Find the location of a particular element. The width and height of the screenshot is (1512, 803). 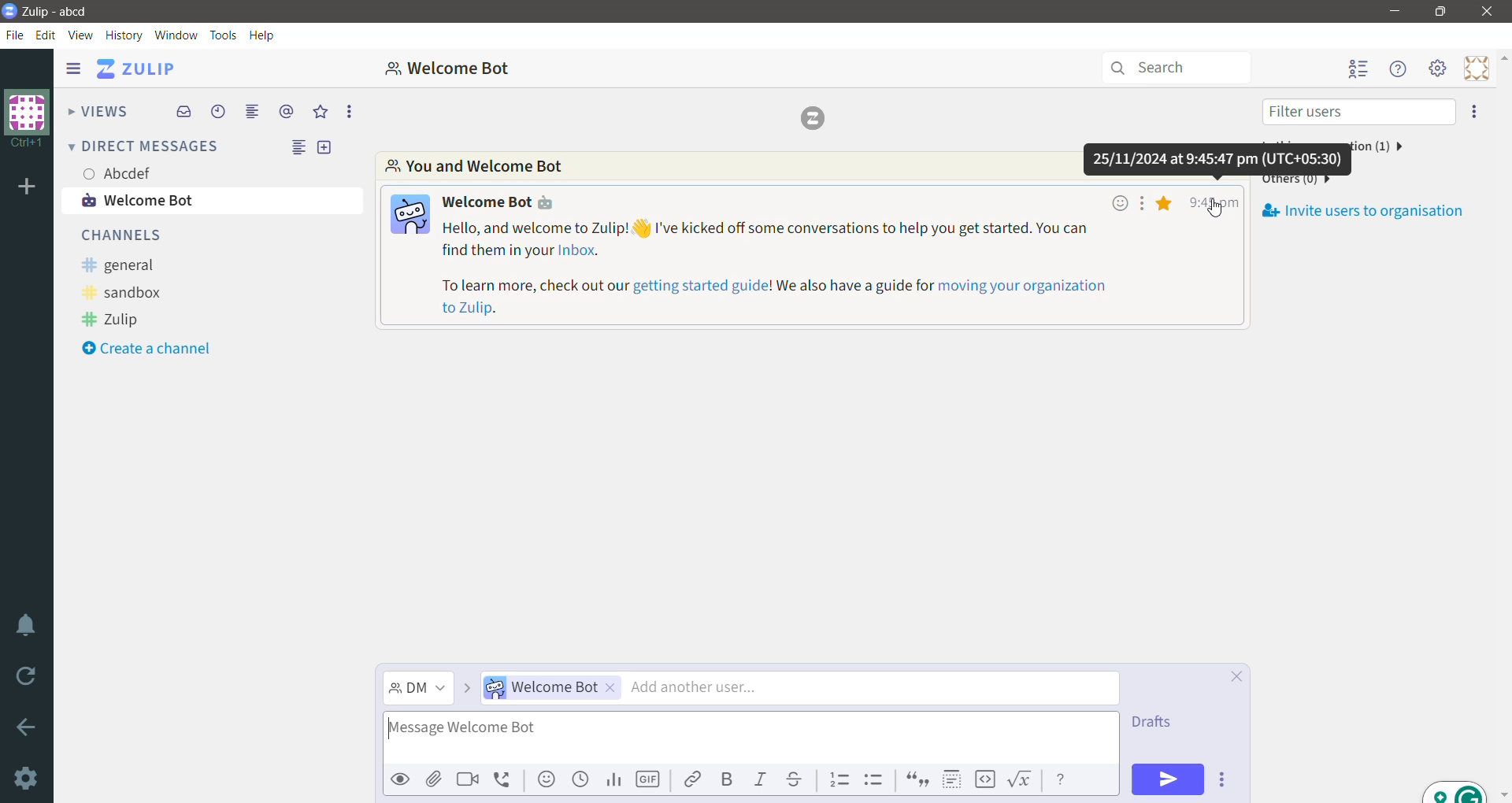

Unstart this message is located at coordinates (1166, 203).